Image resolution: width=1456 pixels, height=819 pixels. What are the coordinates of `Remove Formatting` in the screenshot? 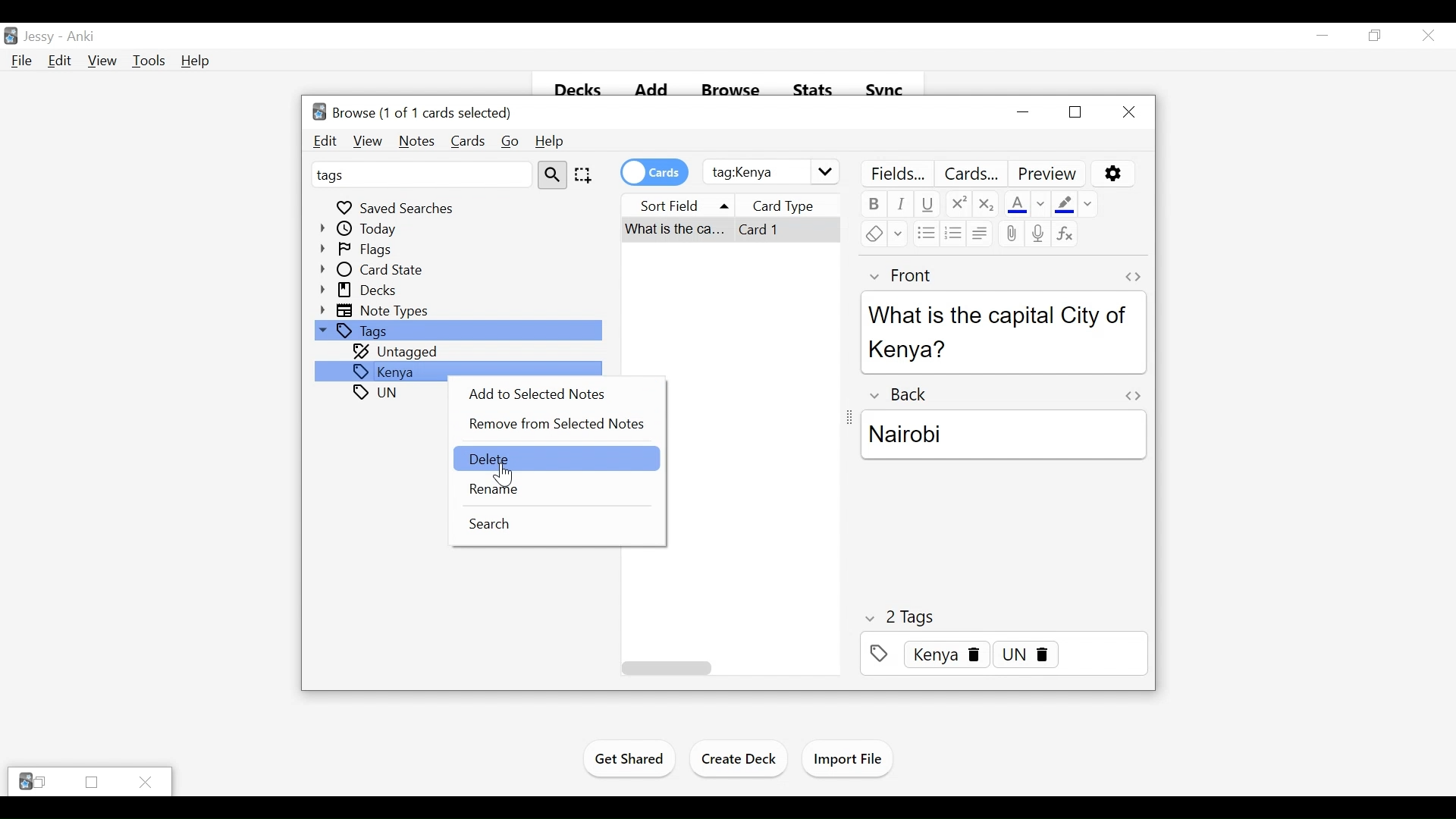 It's located at (873, 234).